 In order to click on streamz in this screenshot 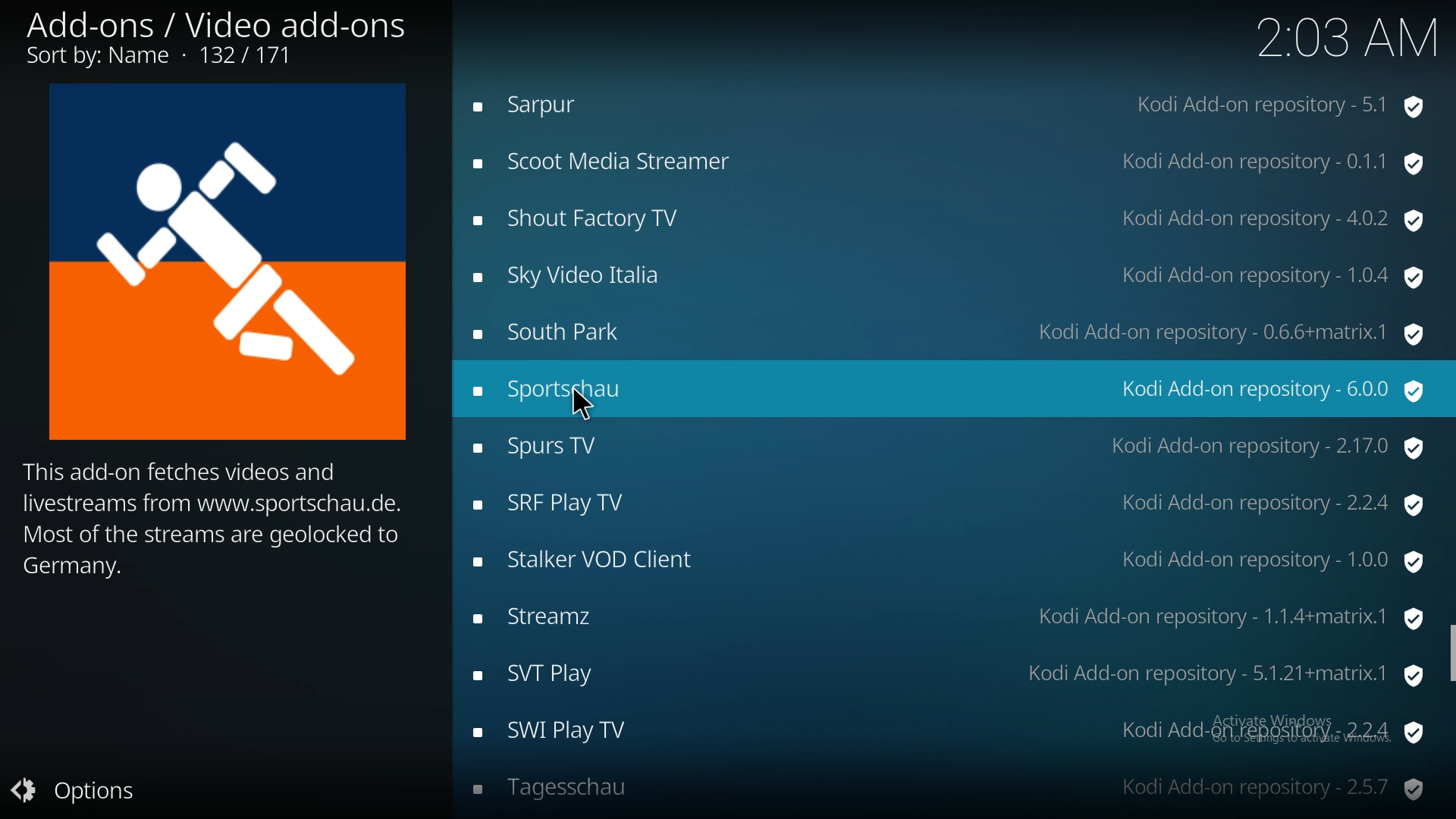, I will do `click(953, 621)`.